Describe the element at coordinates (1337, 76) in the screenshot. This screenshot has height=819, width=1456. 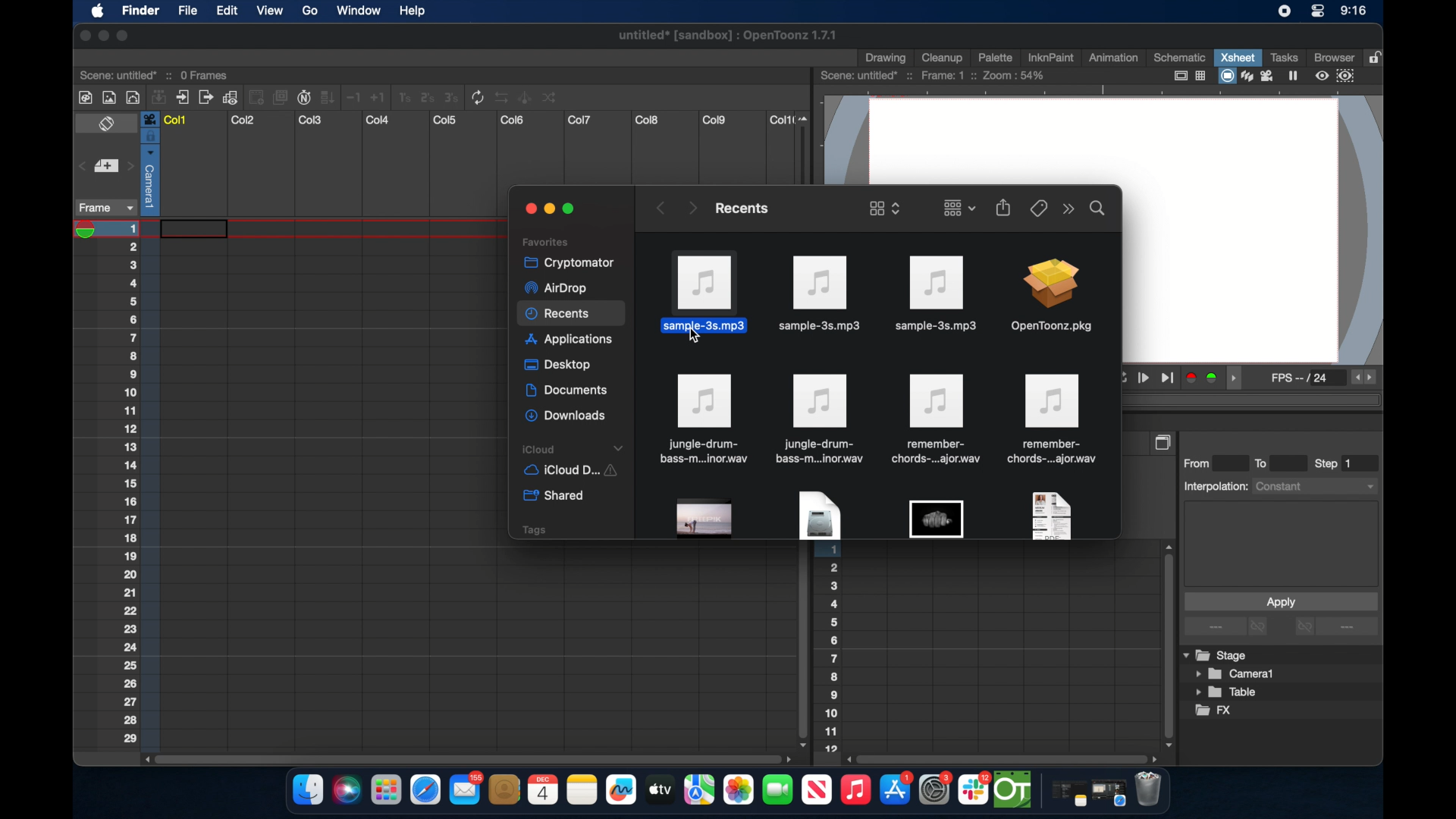
I see `preview` at that location.